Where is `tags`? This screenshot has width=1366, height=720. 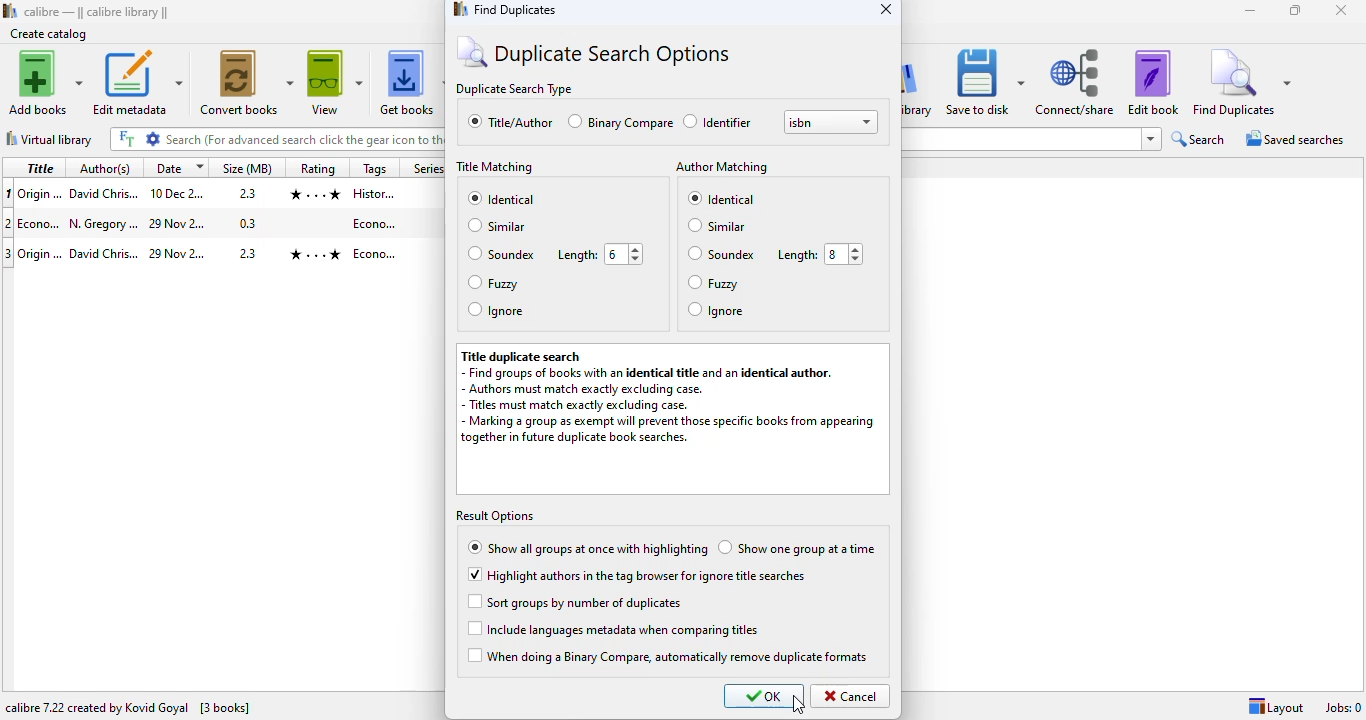
tags is located at coordinates (374, 168).